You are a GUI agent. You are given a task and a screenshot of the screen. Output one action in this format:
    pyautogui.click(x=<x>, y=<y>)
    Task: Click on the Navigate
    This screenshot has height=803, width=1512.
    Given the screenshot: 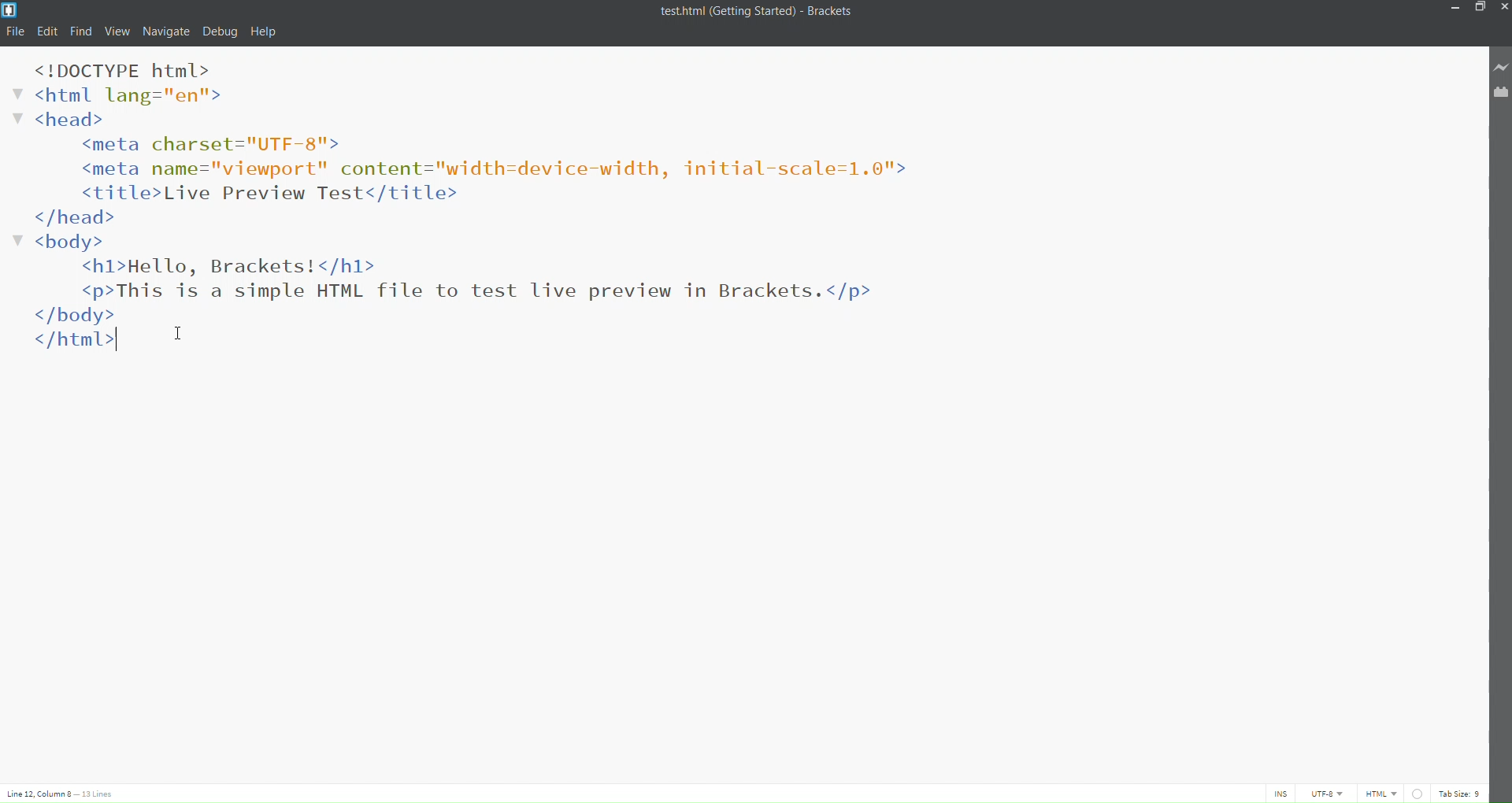 What is the action you would take?
    pyautogui.click(x=166, y=32)
    